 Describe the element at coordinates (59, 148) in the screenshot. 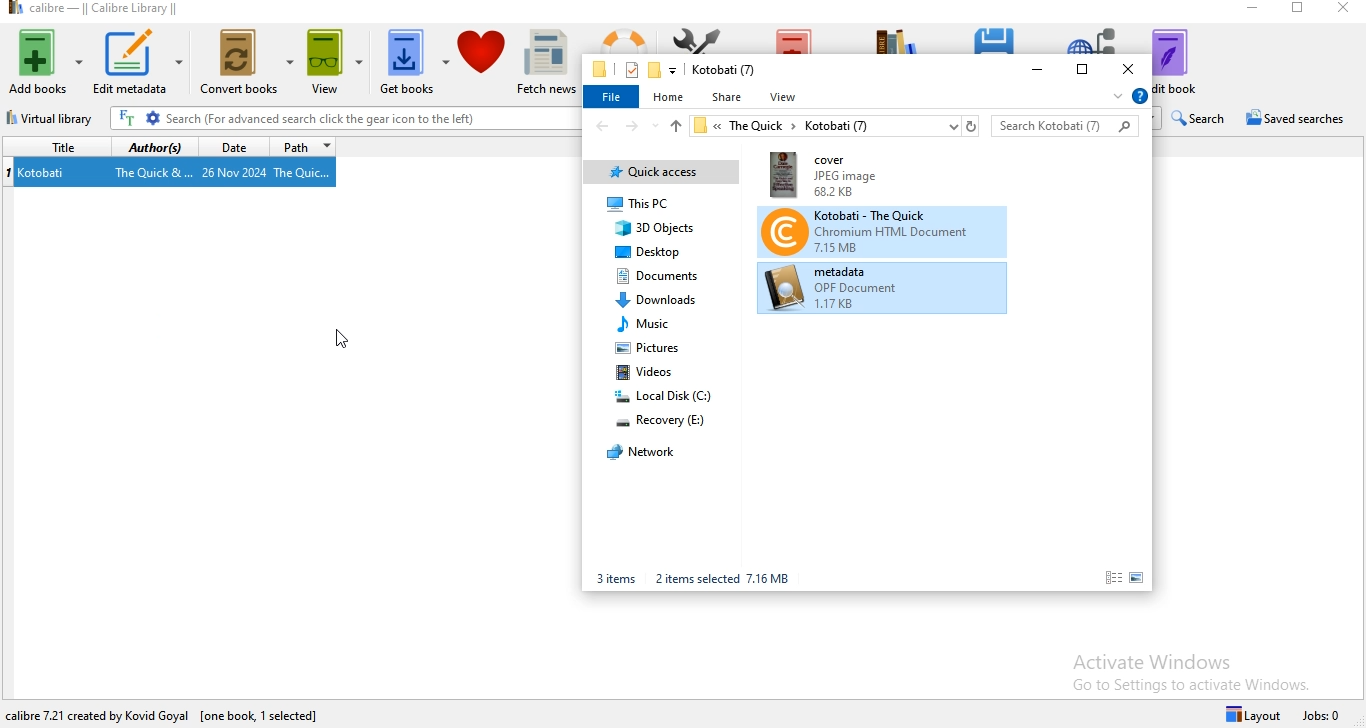

I see `title` at that location.